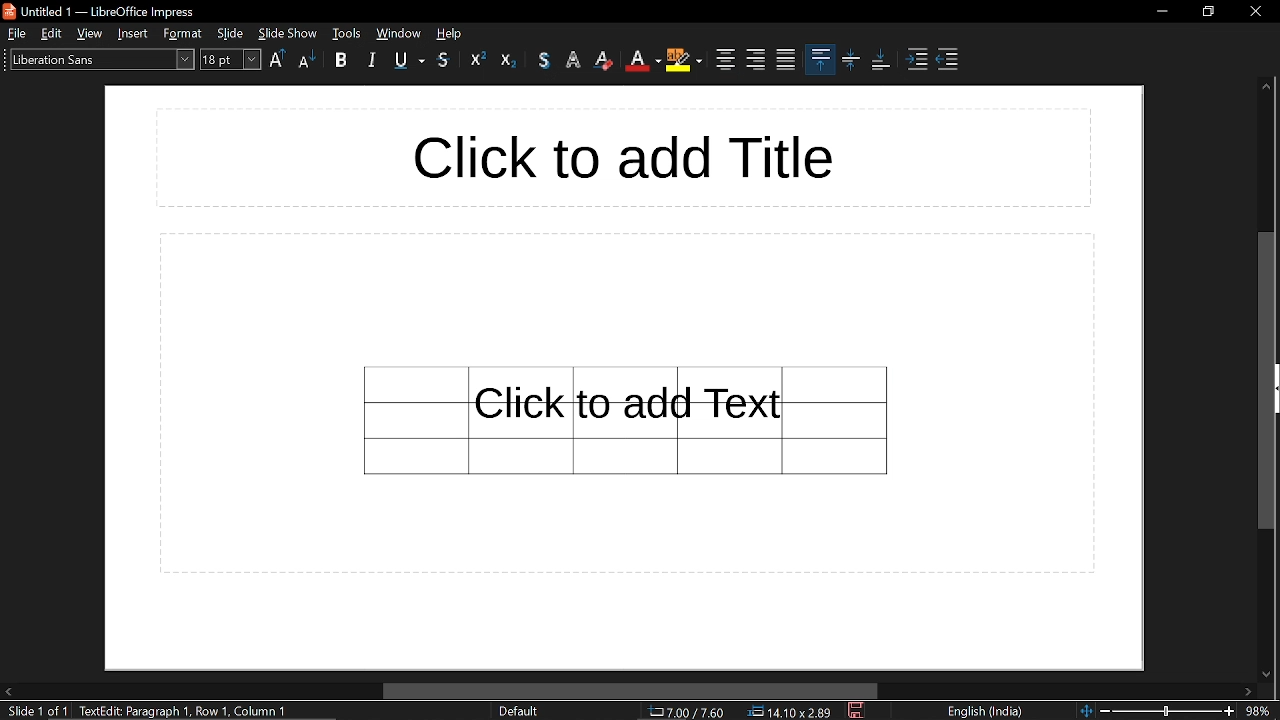 The image size is (1280, 720). Describe the element at coordinates (452, 33) in the screenshot. I see `help` at that location.